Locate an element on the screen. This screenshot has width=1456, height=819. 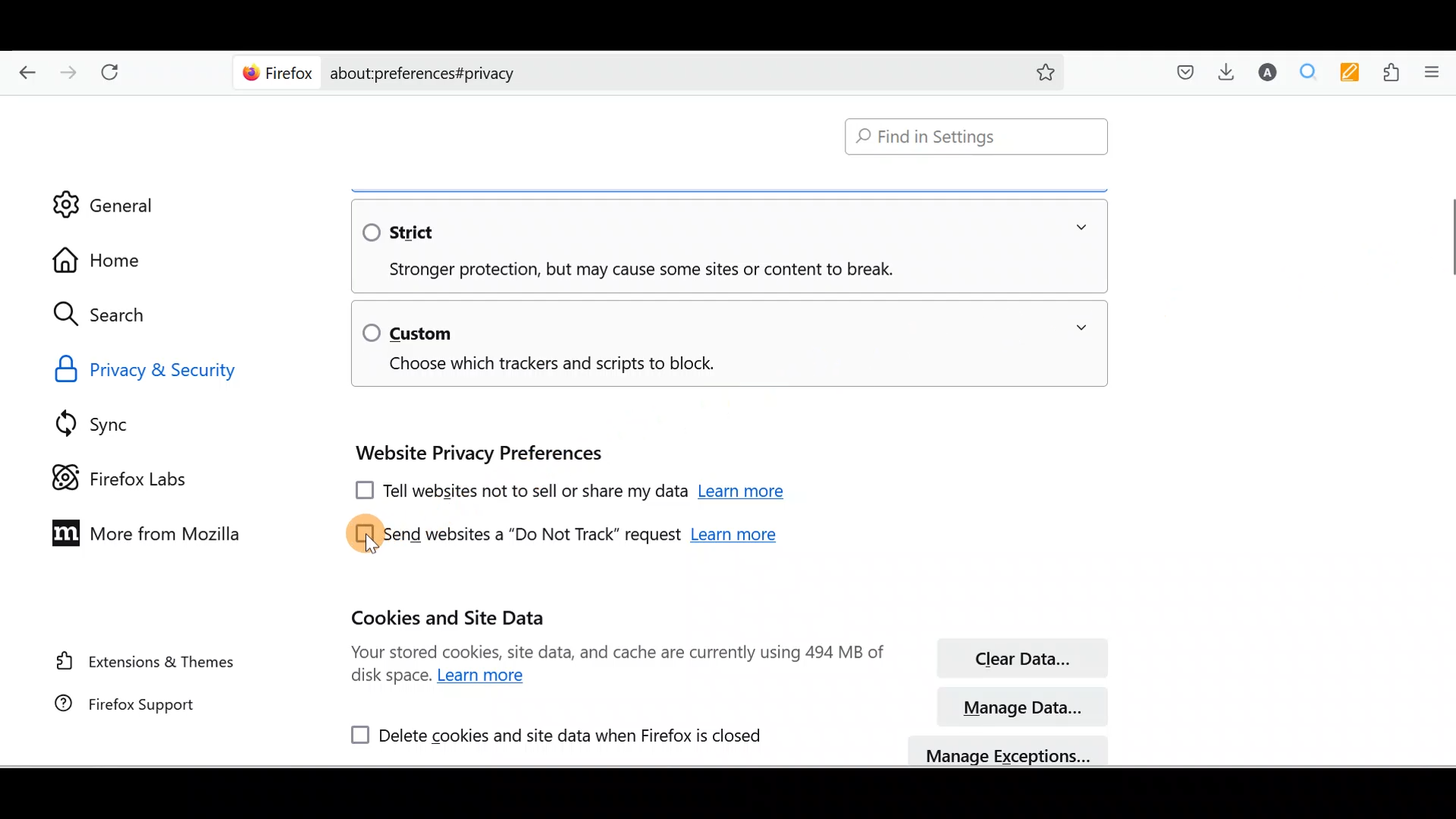
Sync is located at coordinates (118, 419).